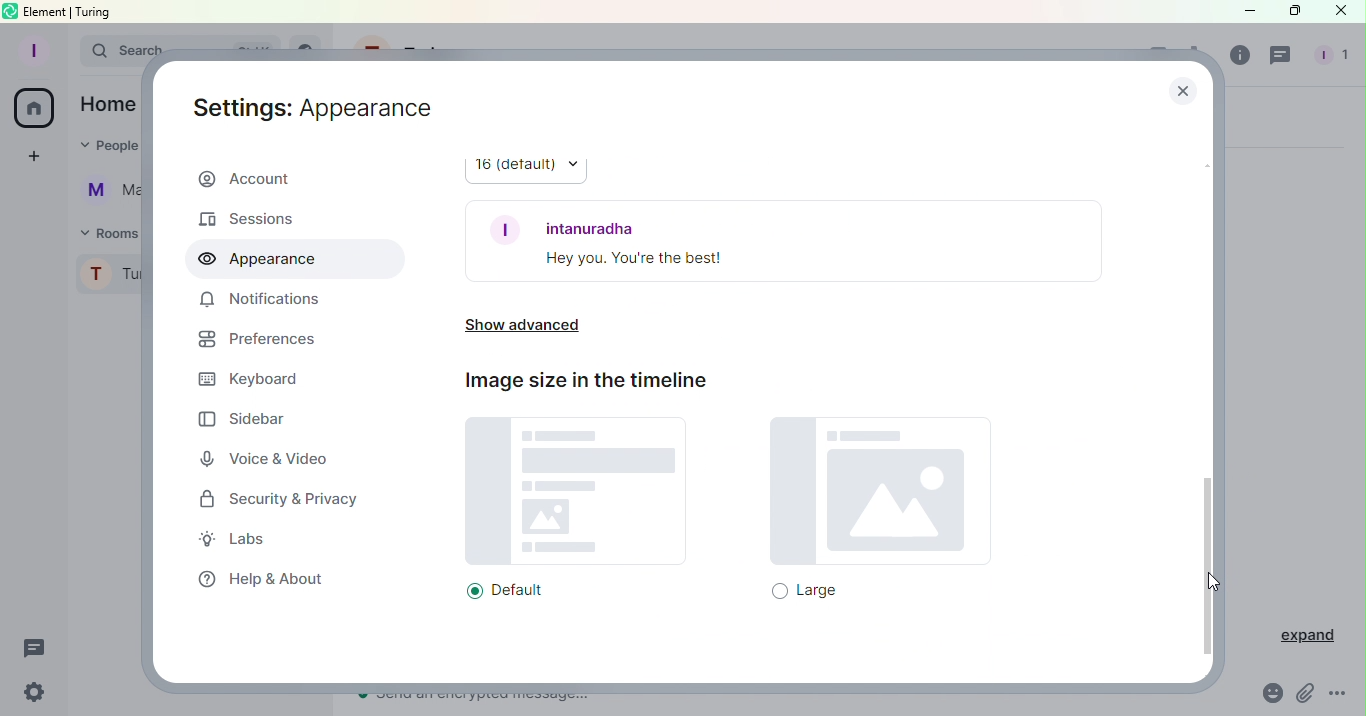 The height and width of the screenshot is (716, 1366). Describe the element at coordinates (1306, 695) in the screenshot. I see `Attachment` at that location.